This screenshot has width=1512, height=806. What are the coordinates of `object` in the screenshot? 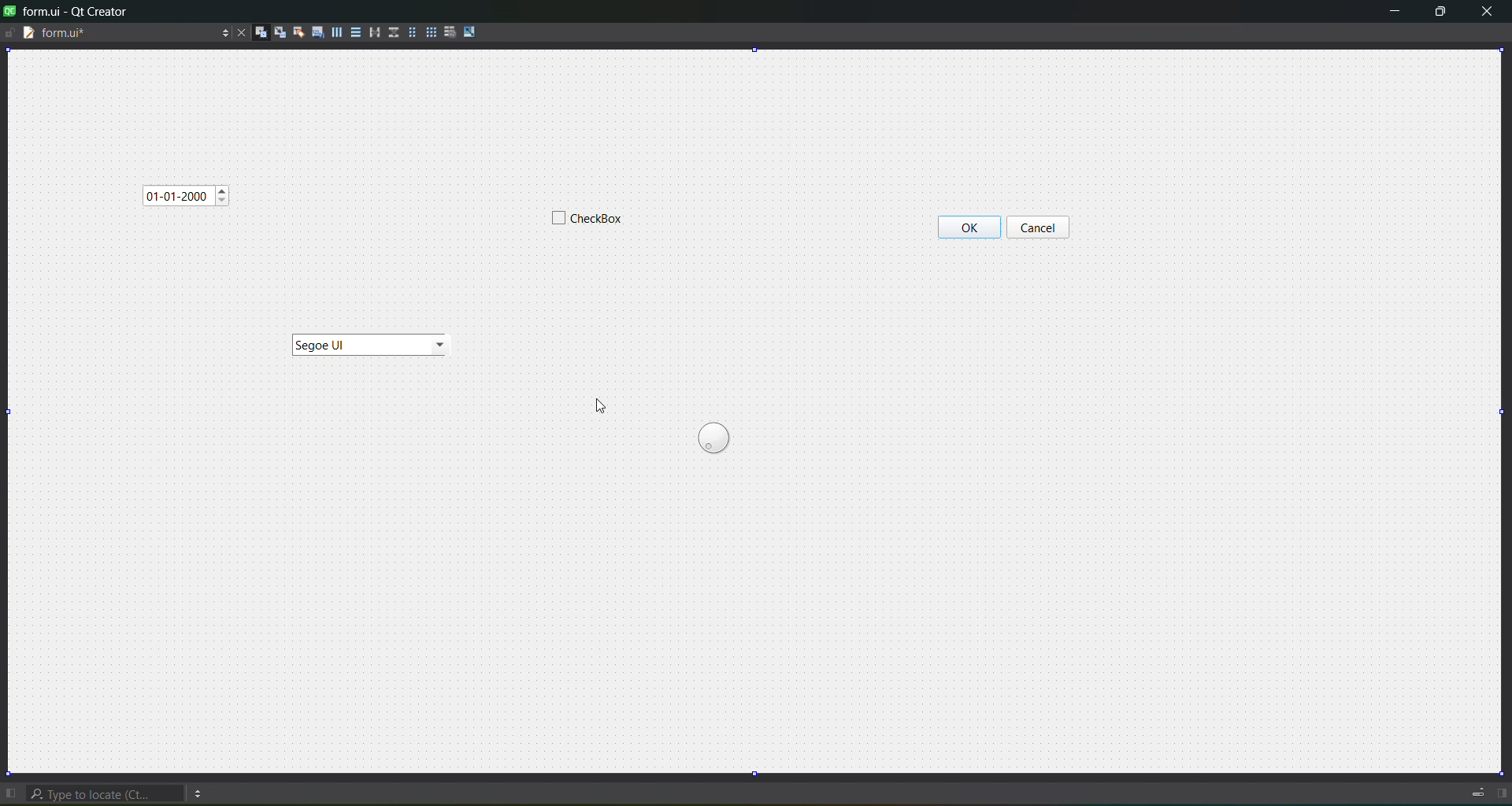 It's located at (581, 223).